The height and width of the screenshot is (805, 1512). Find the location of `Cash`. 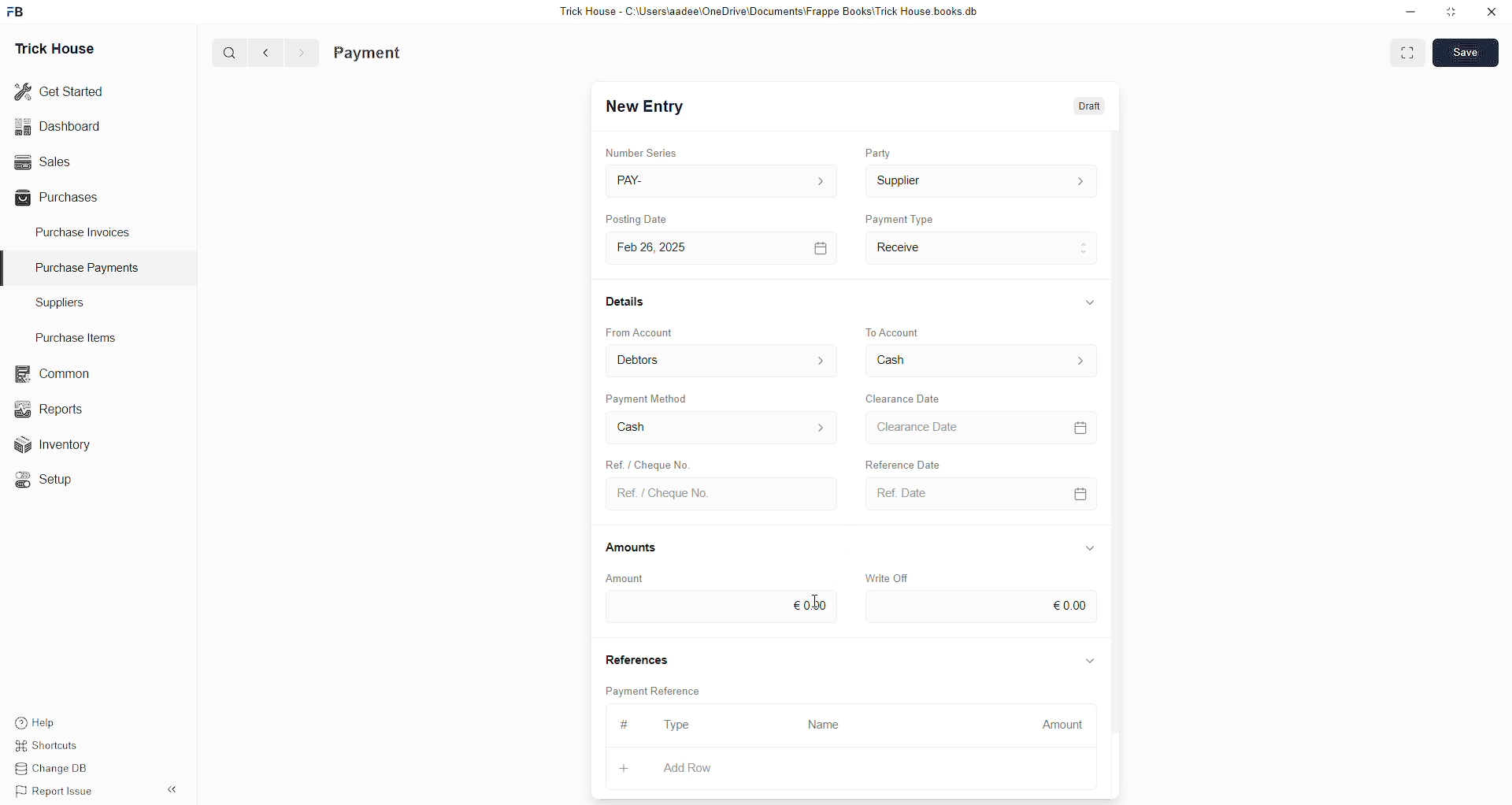

Cash is located at coordinates (719, 429).